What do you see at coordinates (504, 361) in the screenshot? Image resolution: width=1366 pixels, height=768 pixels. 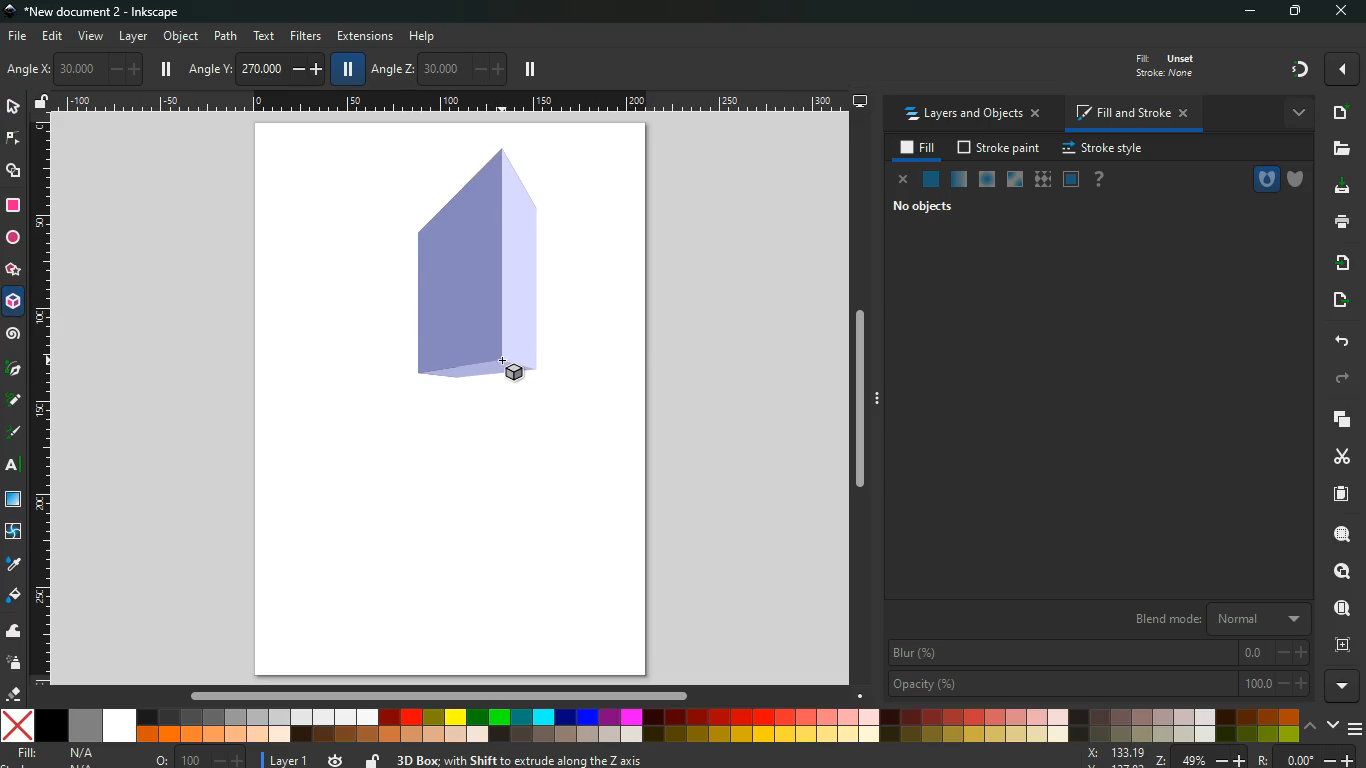 I see `Cursor` at bounding box center [504, 361].